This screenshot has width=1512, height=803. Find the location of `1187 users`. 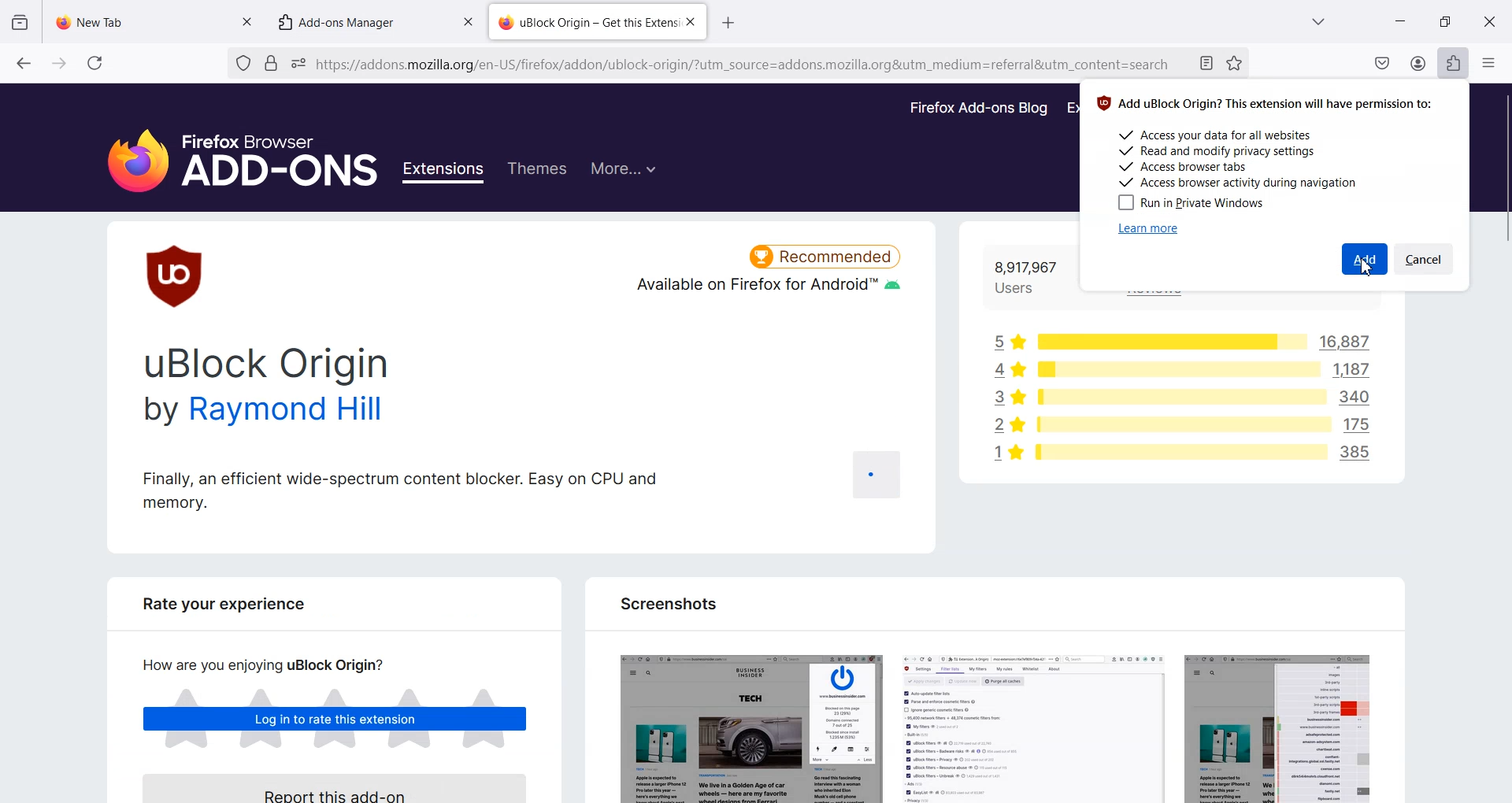

1187 users is located at coordinates (1358, 370).